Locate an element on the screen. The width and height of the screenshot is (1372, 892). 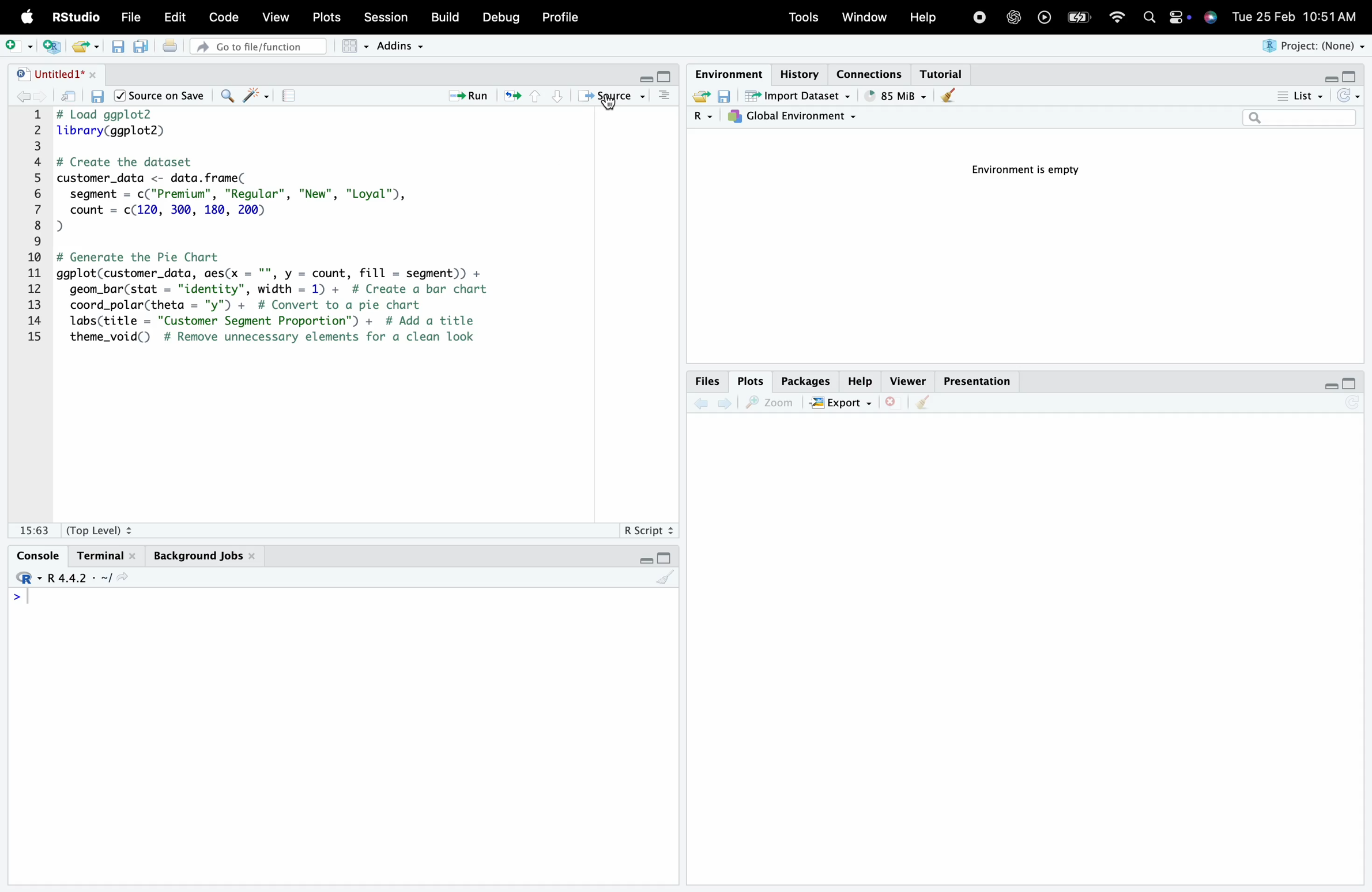
add script is located at coordinates (18, 43).